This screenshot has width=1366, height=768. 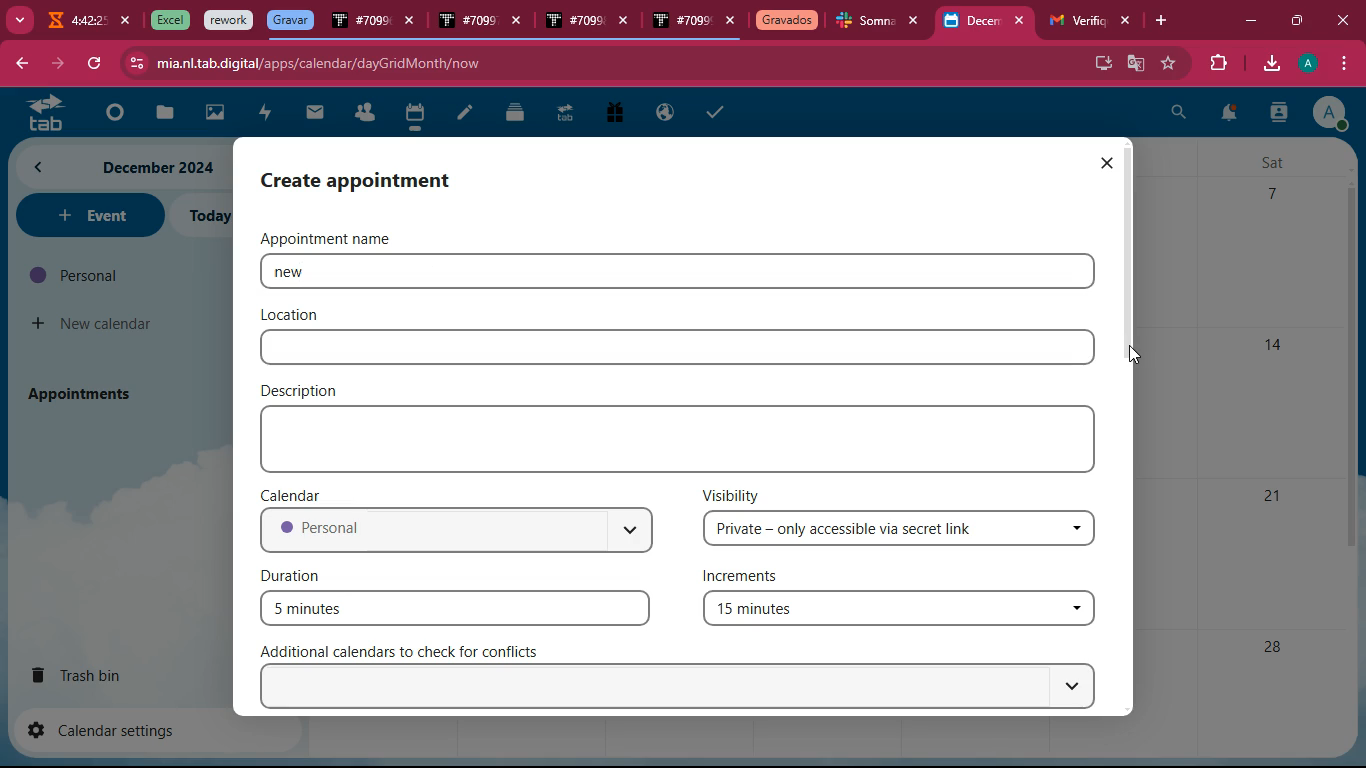 I want to click on favorites, so click(x=1170, y=63).